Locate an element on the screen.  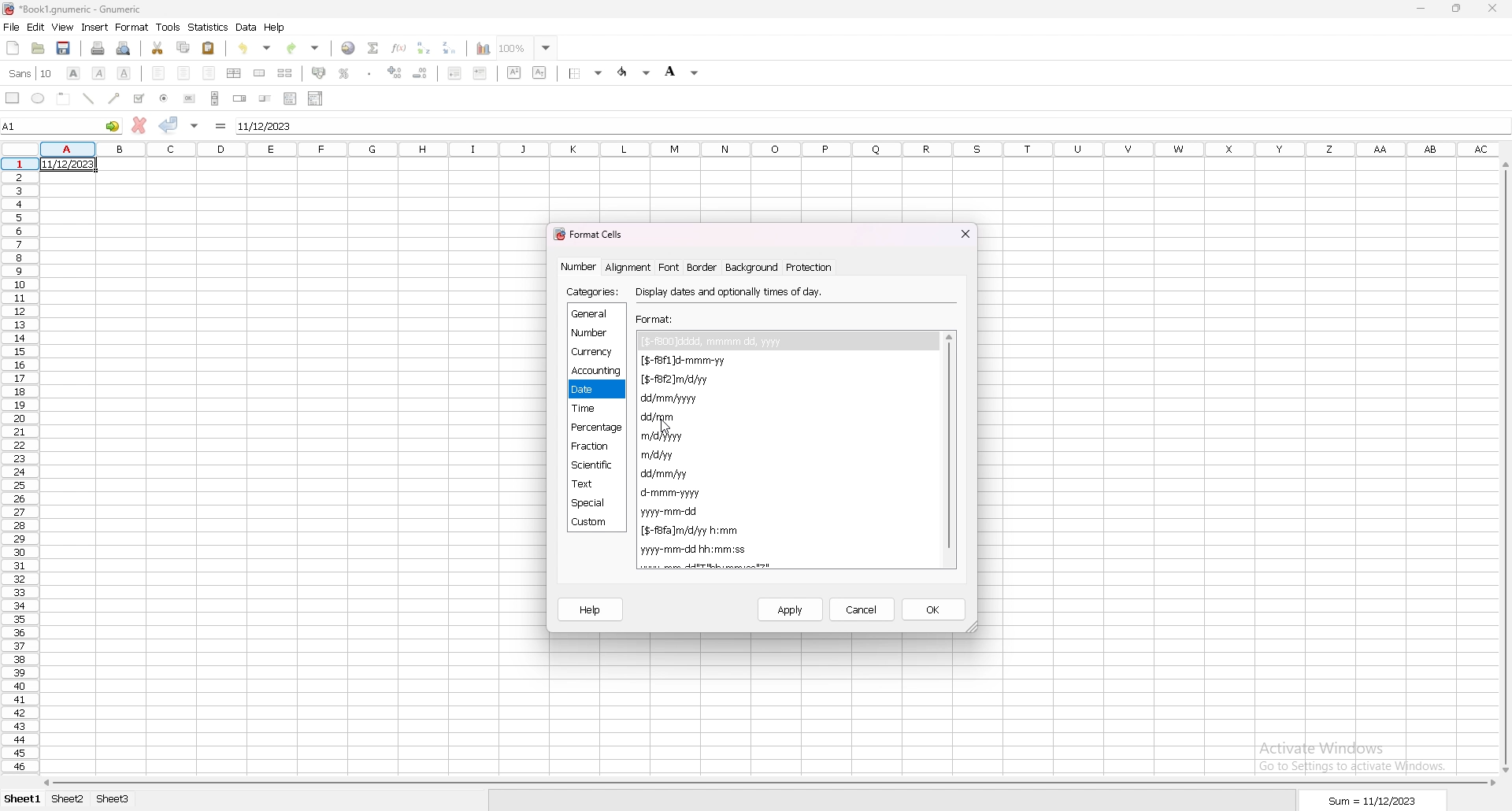
minimize is located at coordinates (1421, 10).